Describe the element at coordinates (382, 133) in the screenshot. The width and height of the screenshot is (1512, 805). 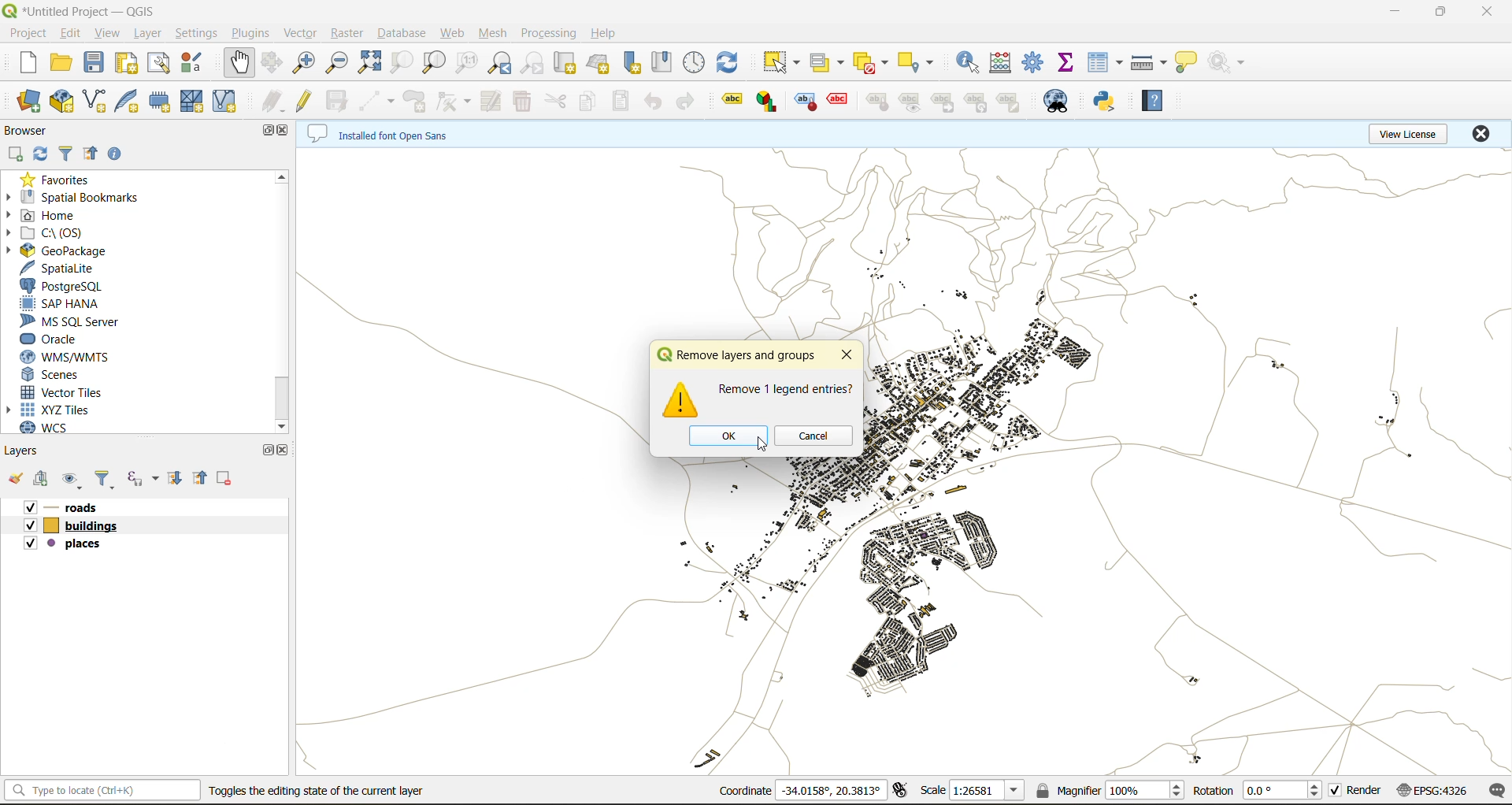
I see `metadata` at that location.